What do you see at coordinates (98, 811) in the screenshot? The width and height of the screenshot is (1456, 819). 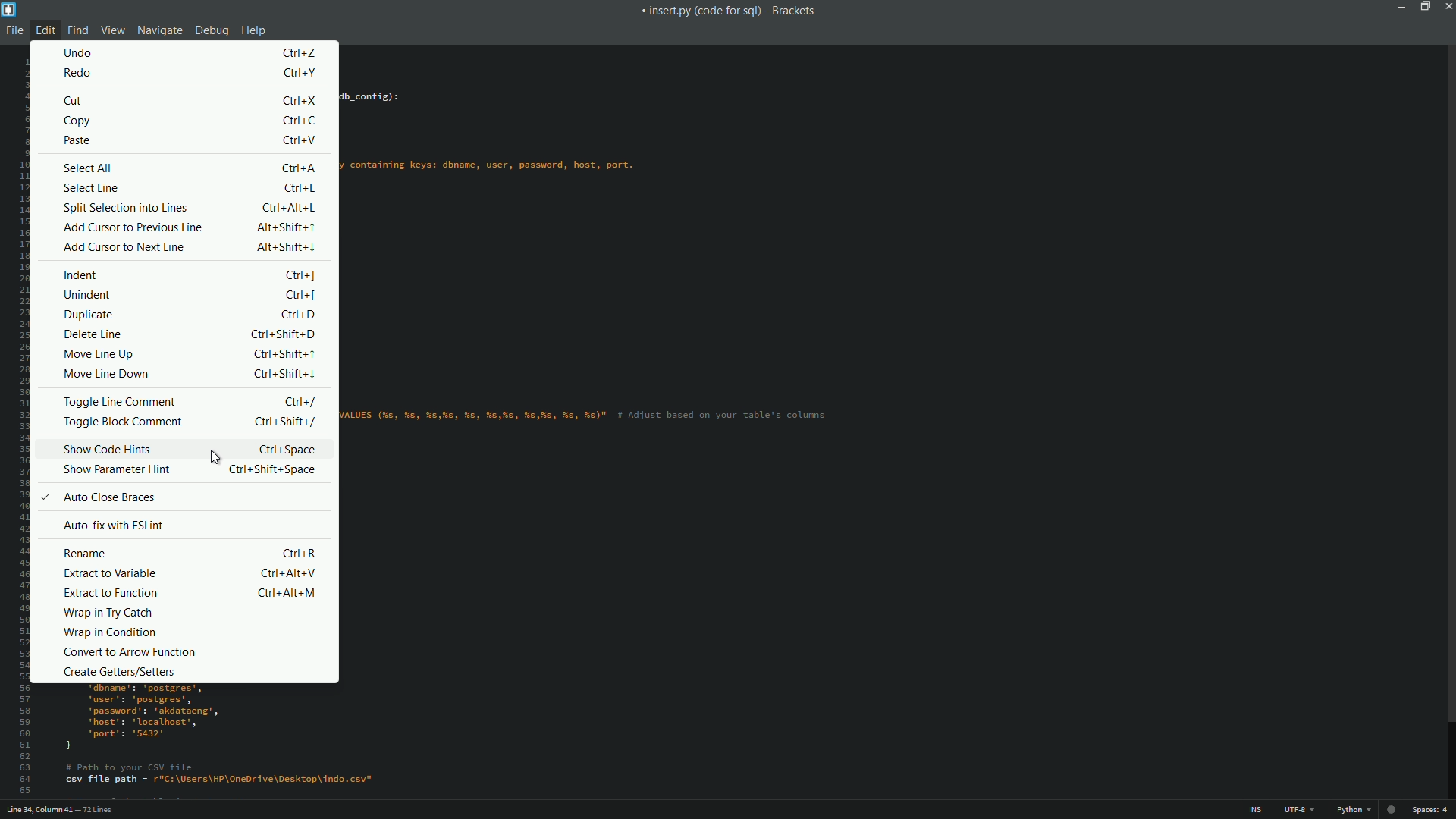 I see `number of lines` at bounding box center [98, 811].